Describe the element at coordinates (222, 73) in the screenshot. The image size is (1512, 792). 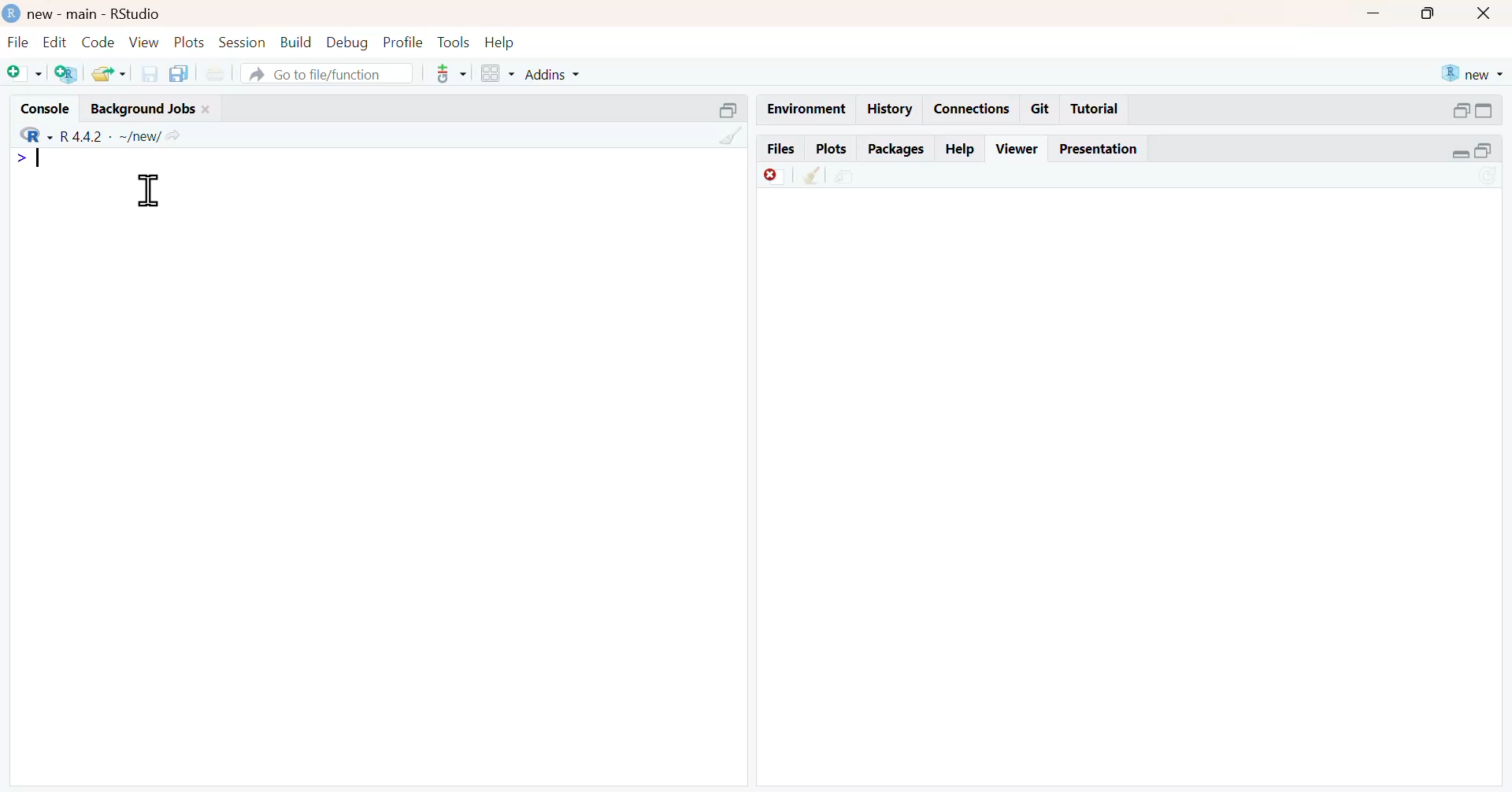
I see `print the current file` at that location.